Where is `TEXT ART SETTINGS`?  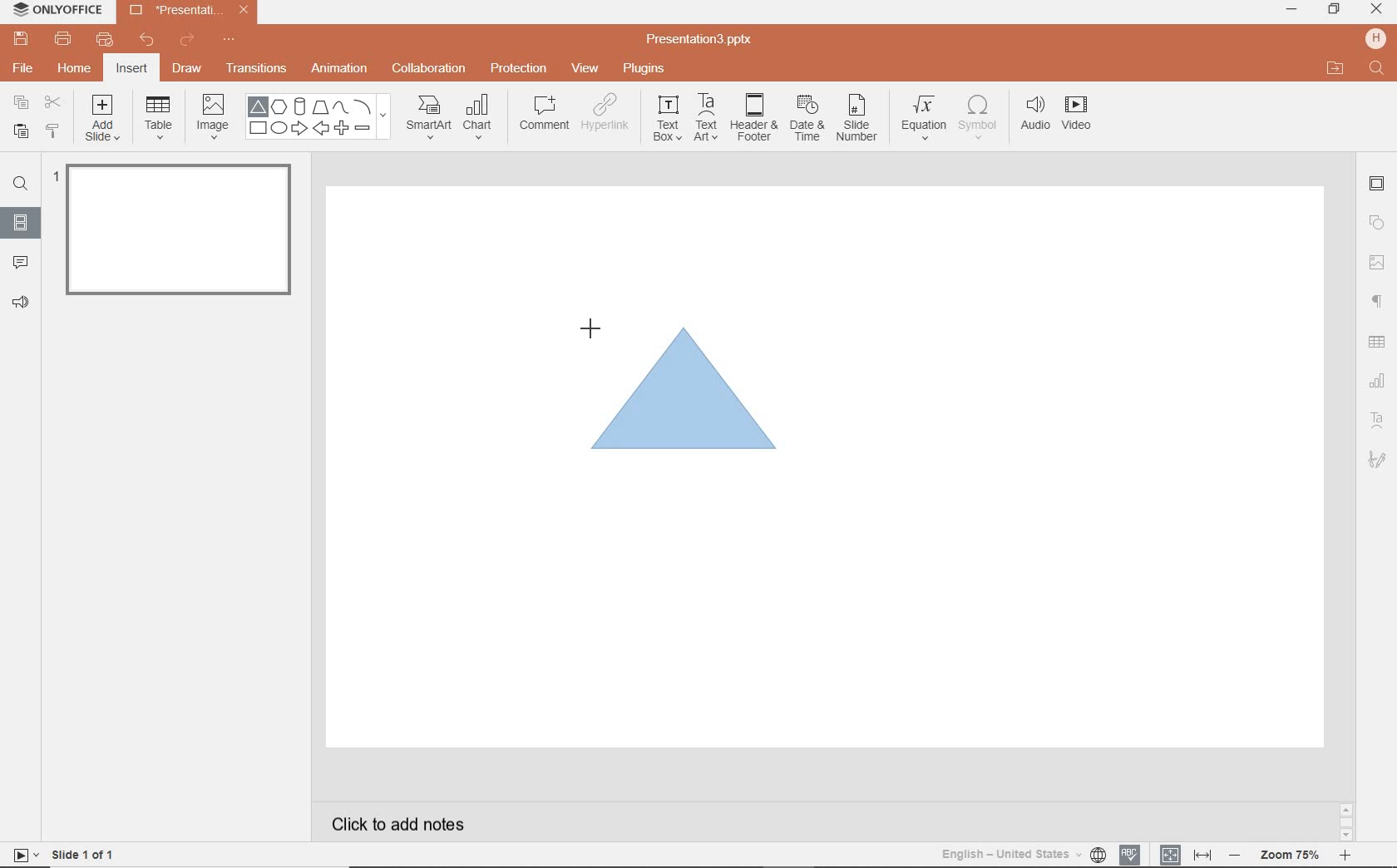 TEXT ART SETTINGS is located at coordinates (1378, 422).